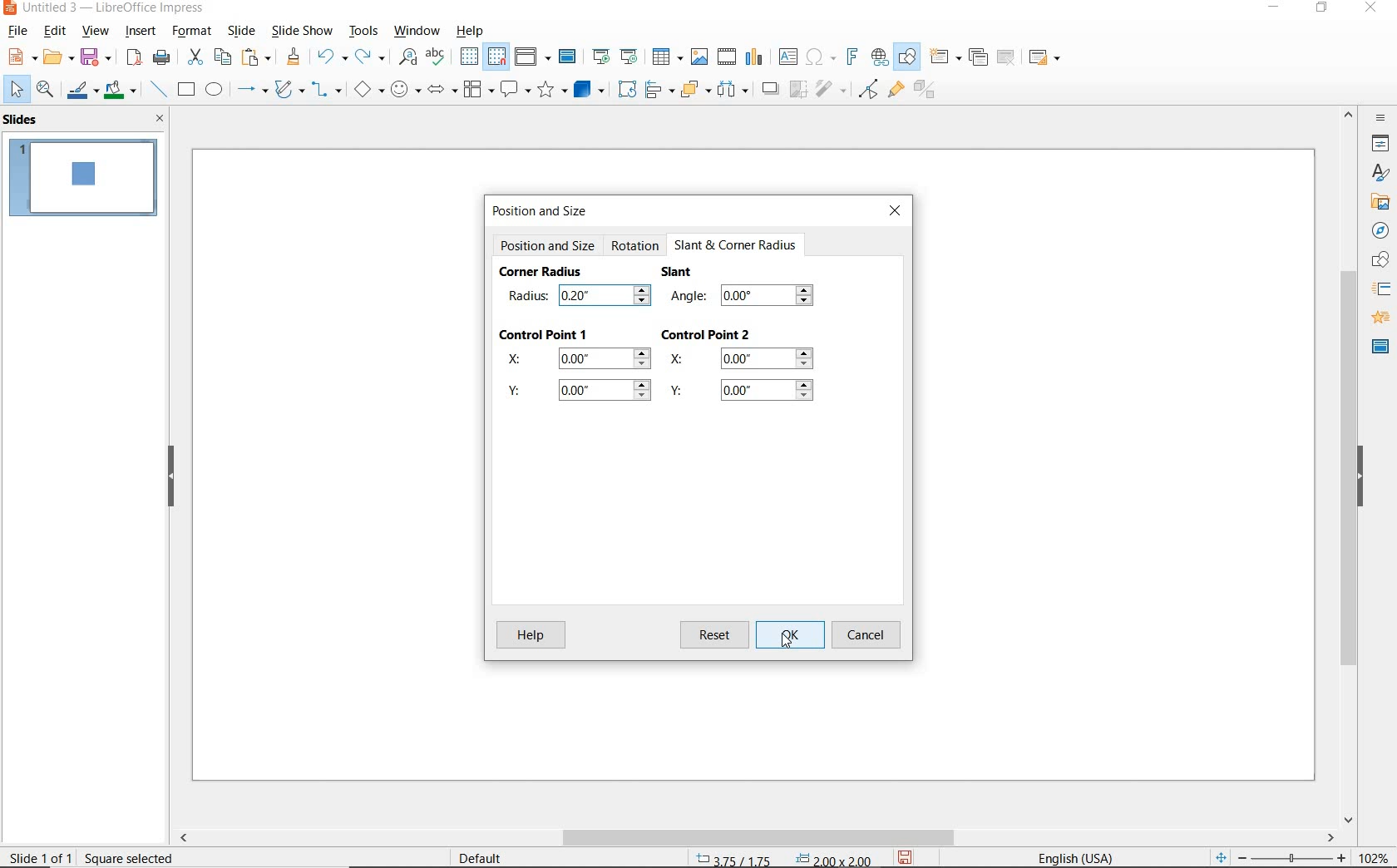  Describe the element at coordinates (44, 89) in the screenshot. I see `zoom & pan` at that location.